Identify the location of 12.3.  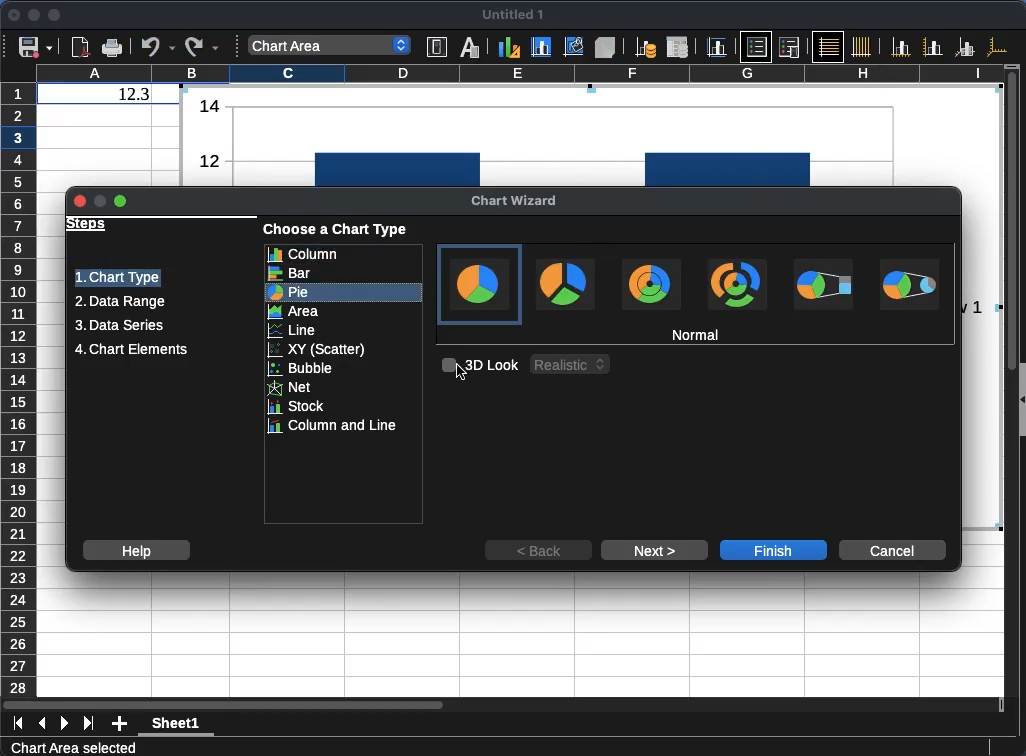
(134, 94).